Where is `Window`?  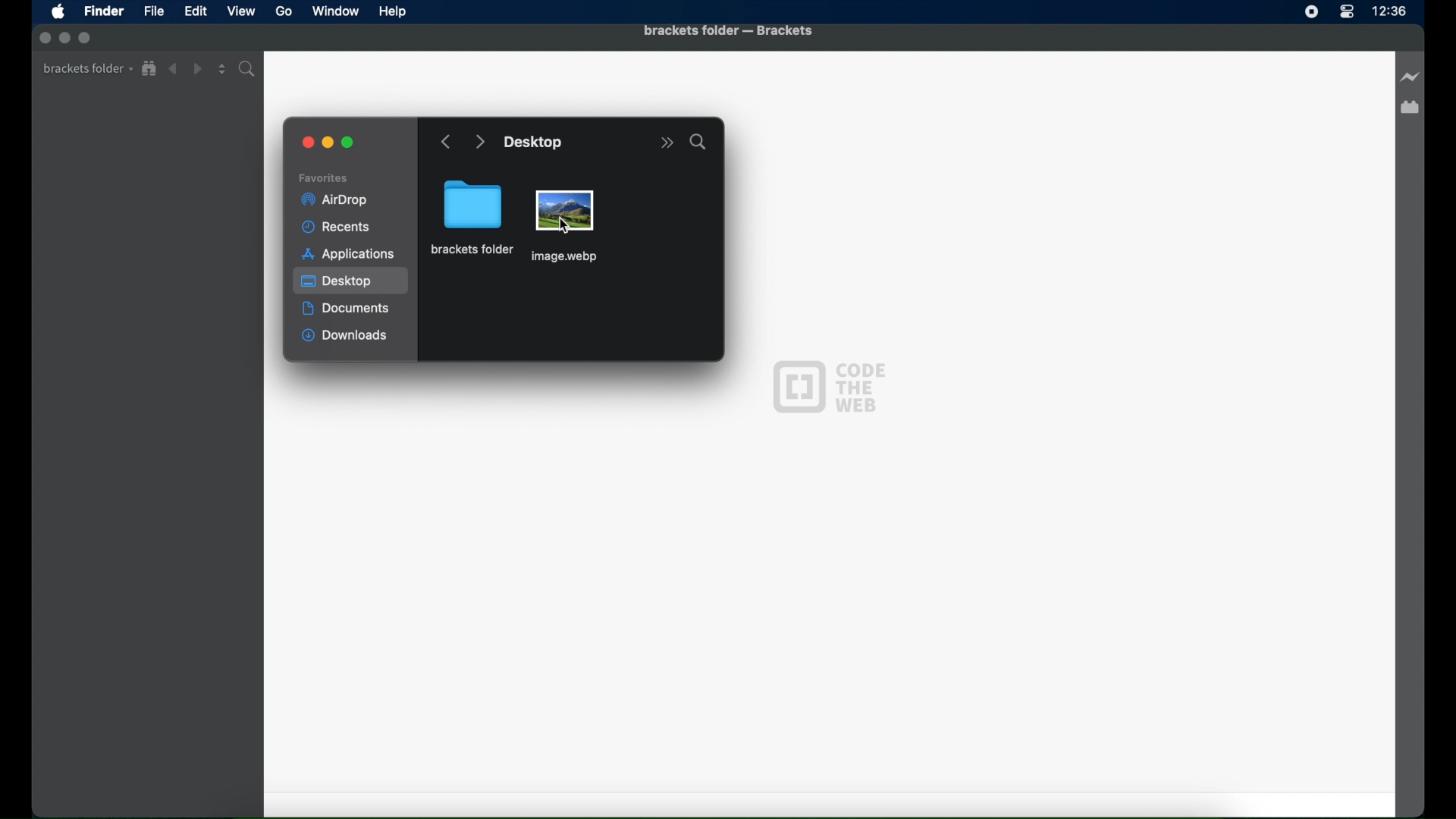
Window is located at coordinates (336, 11).